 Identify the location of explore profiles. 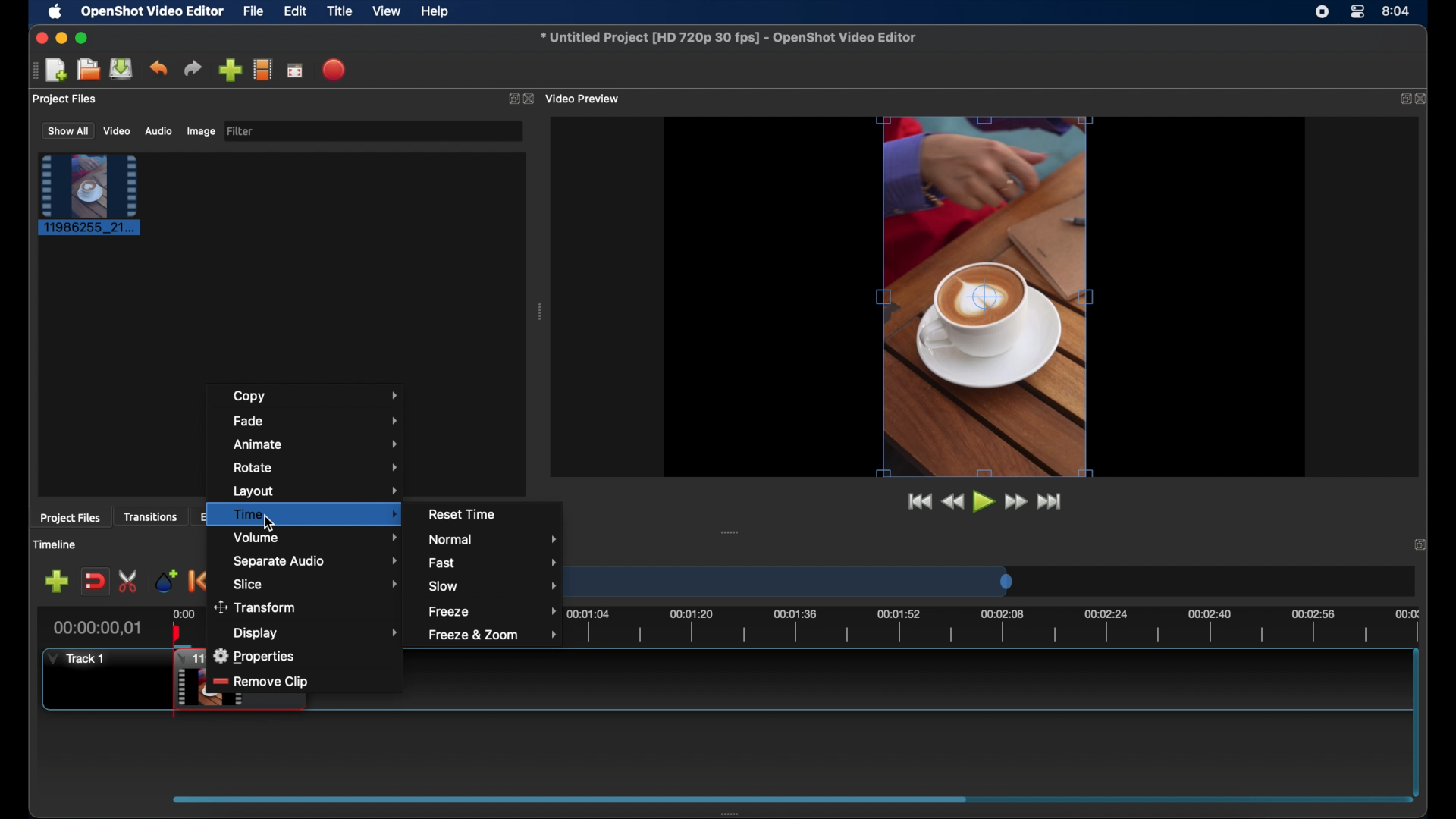
(262, 71).